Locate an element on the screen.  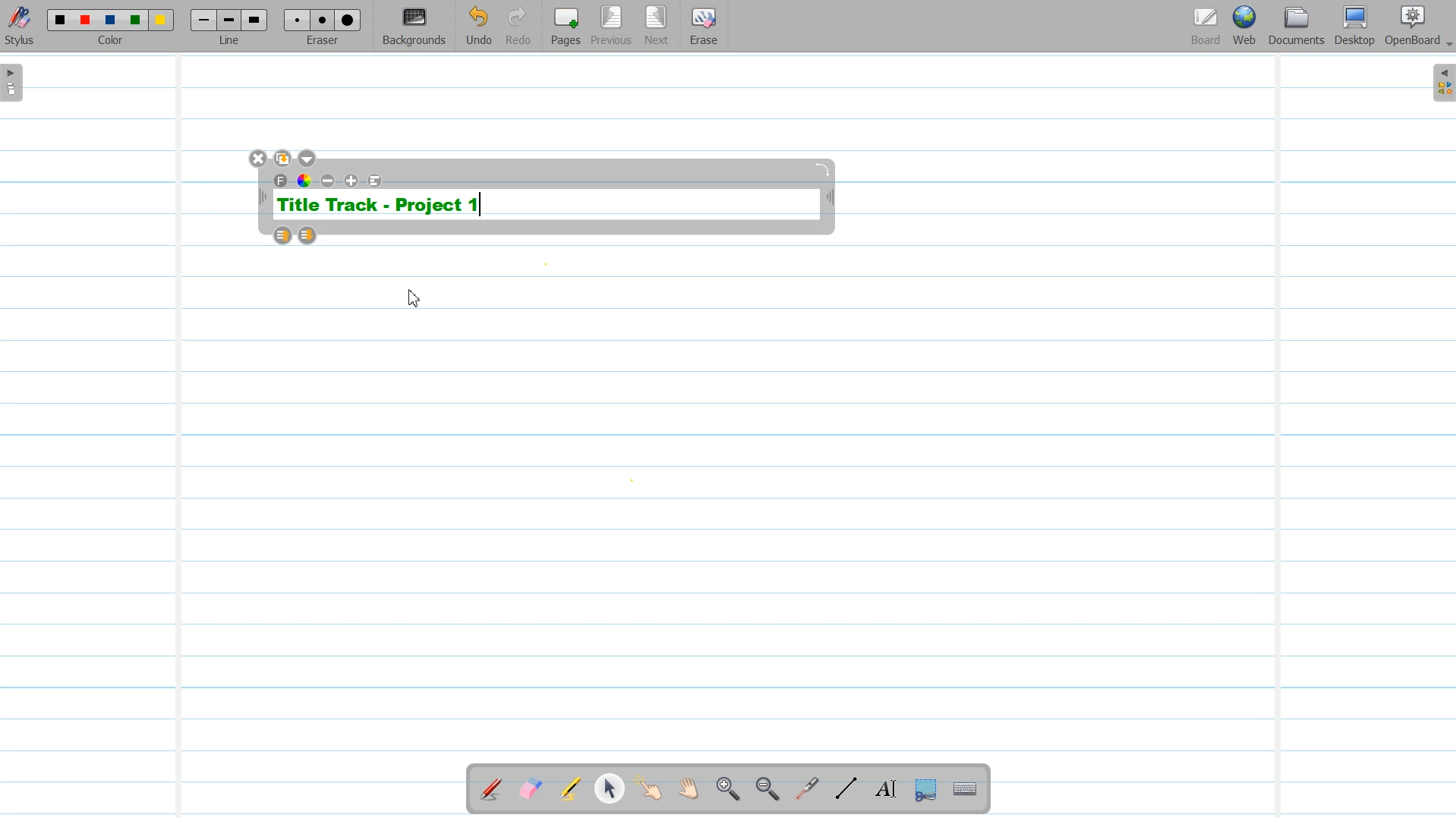
Maximize Text is located at coordinates (352, 181).